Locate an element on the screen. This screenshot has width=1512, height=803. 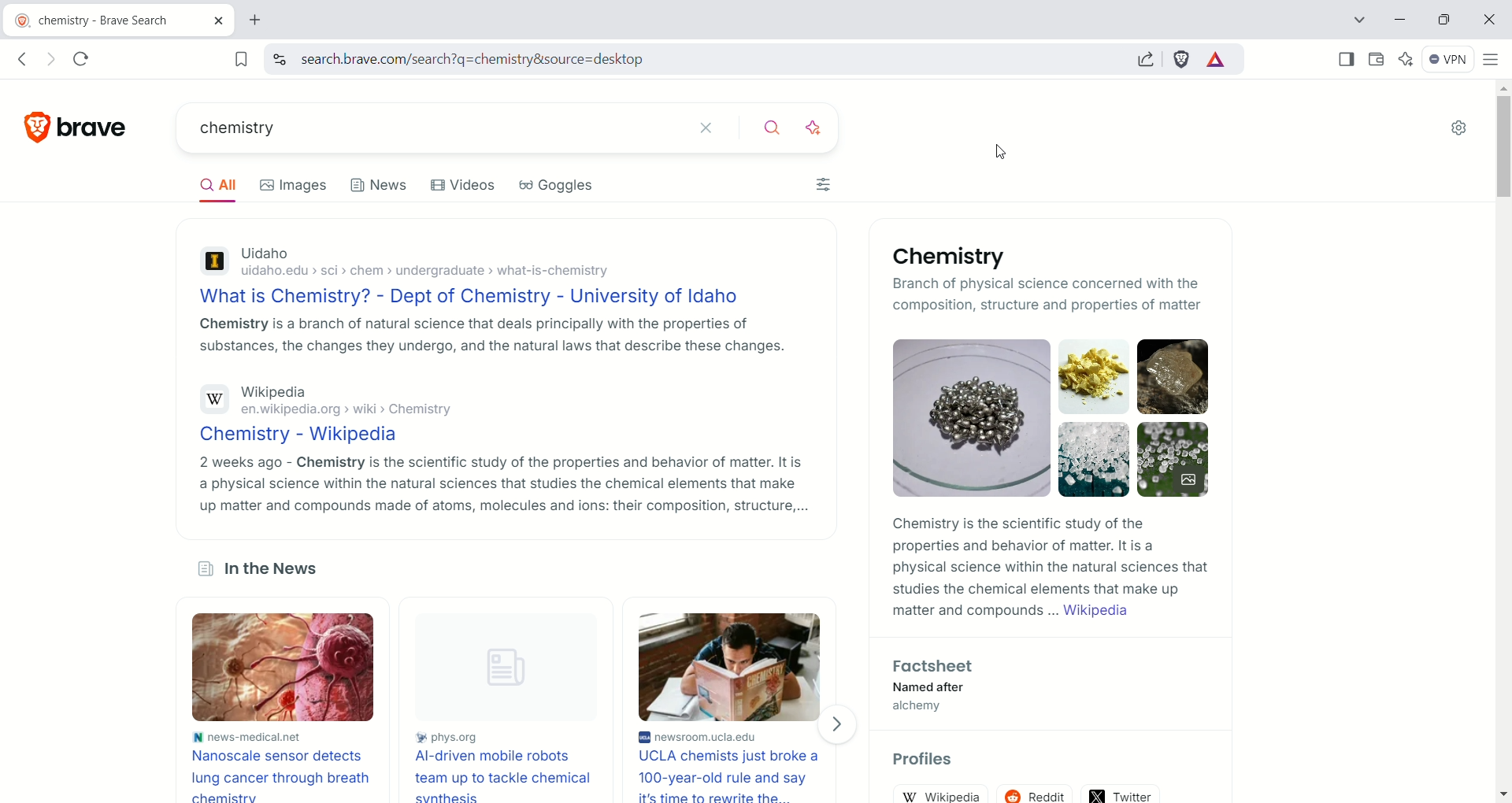
close is located at coordinates (1491, 20).